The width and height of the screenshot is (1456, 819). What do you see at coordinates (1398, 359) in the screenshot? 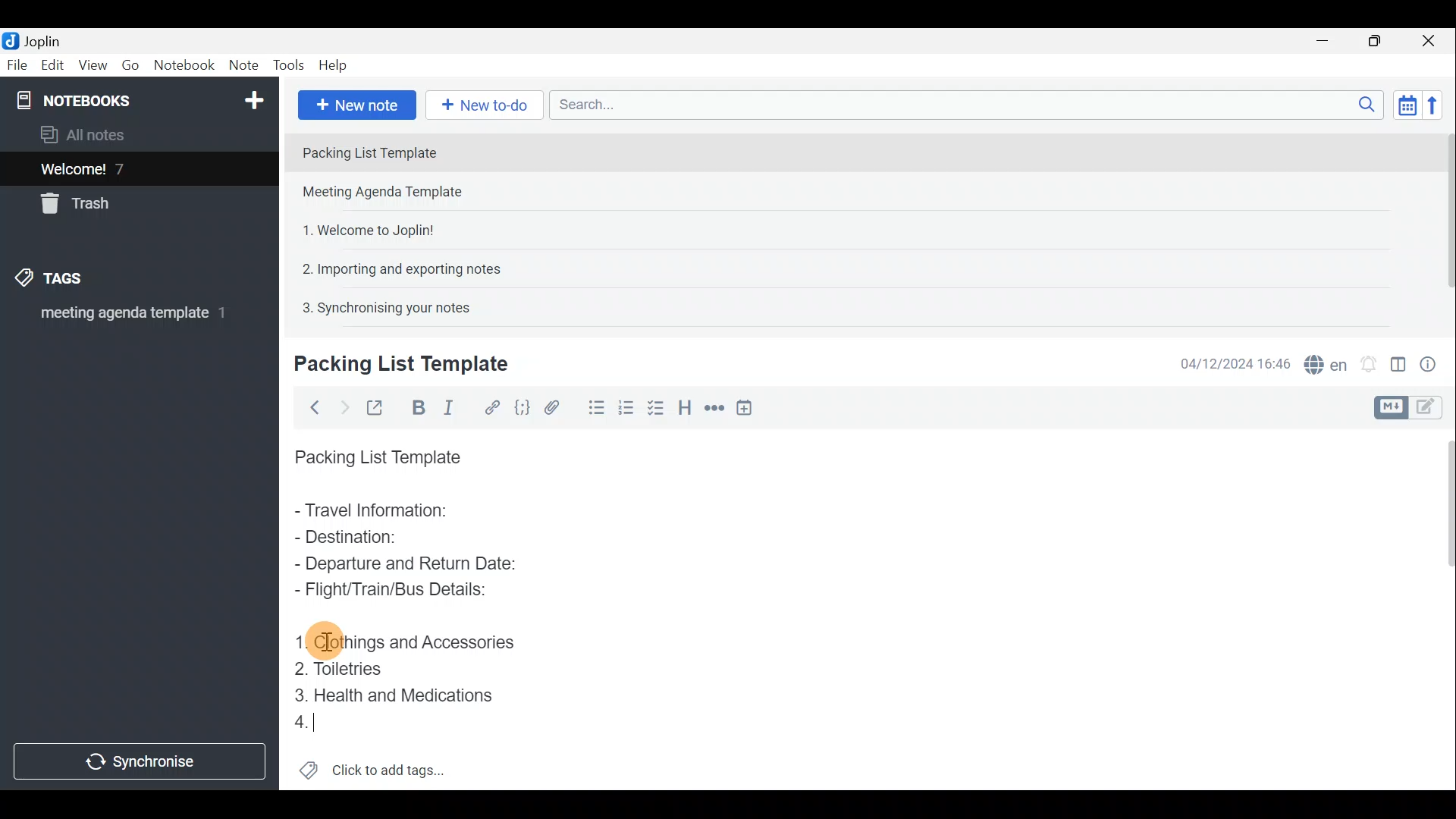
I see `Toggle editor layout` at bounding box center [1398, 359].